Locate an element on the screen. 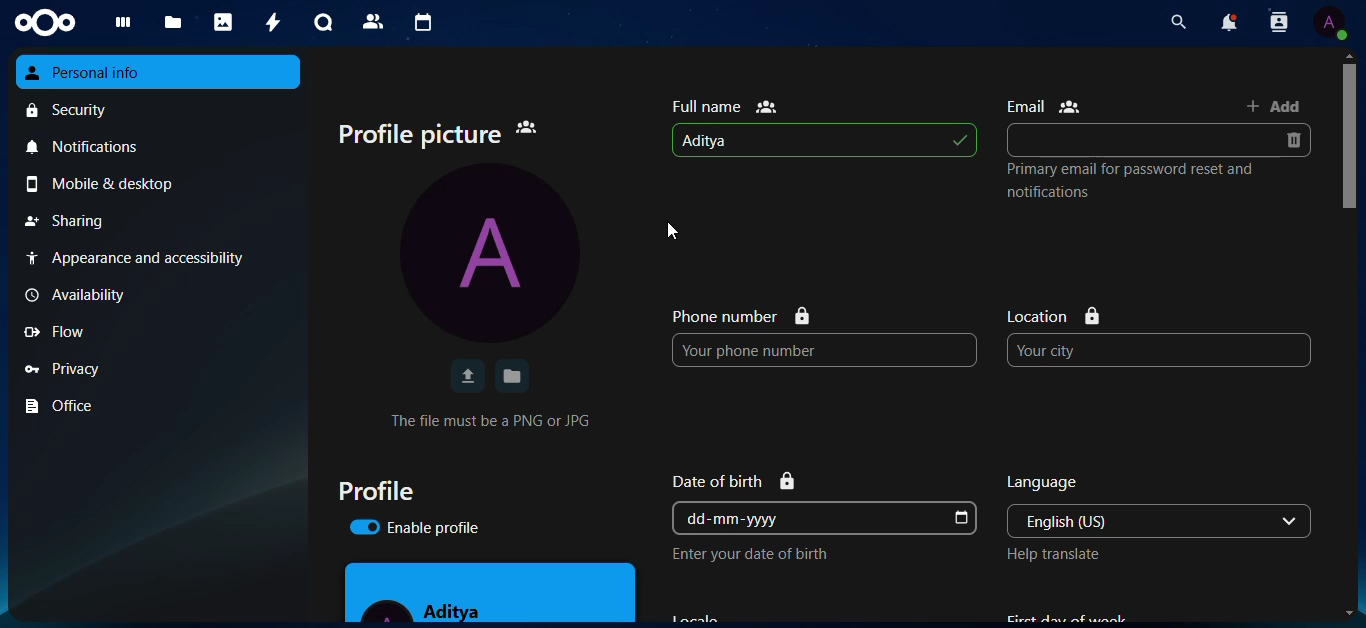  profile picture changed is located at coordinates (489, 252).